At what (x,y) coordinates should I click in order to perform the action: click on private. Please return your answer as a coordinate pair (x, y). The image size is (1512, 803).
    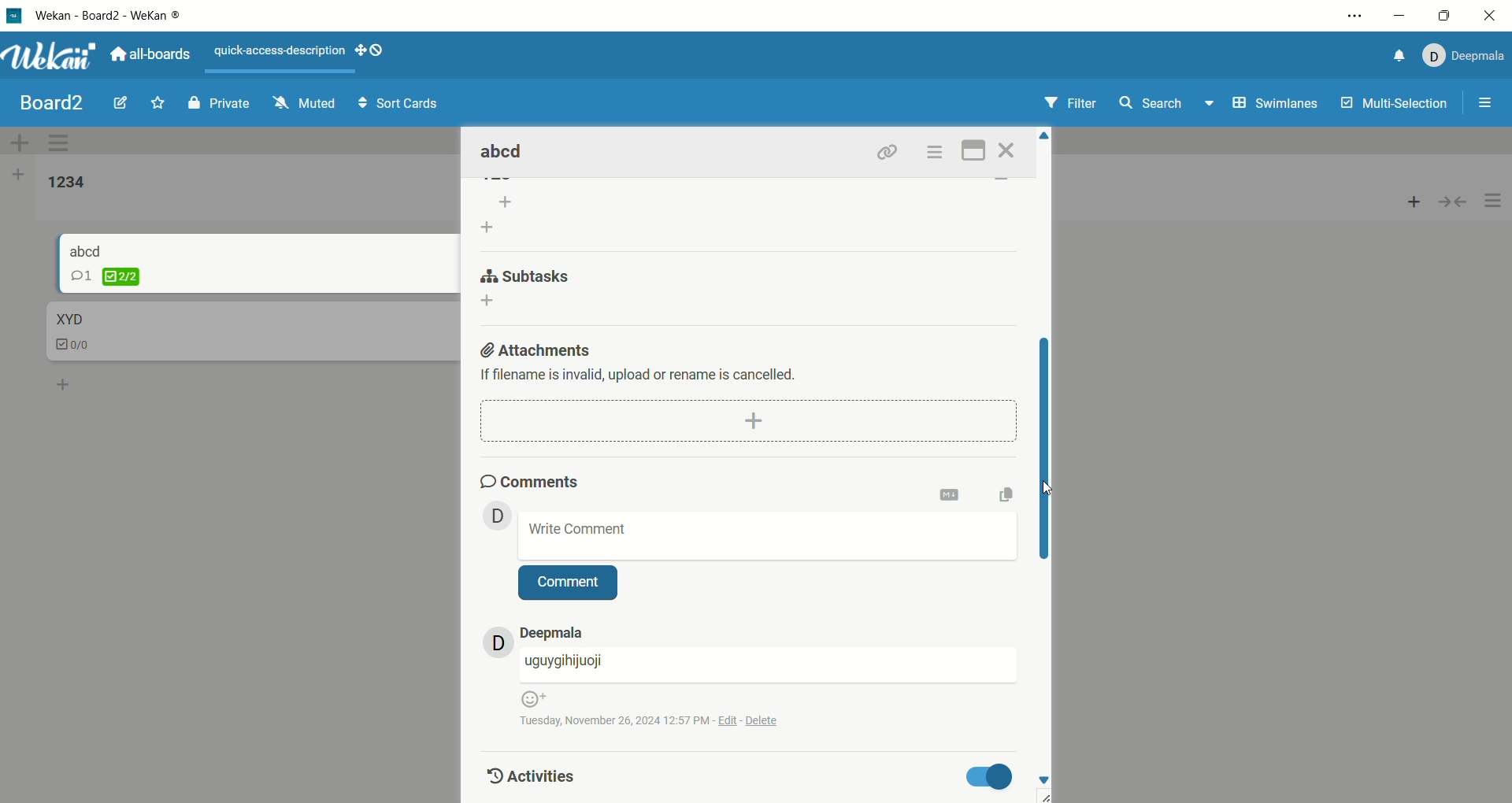
    Looking at the image, I should click on (221, 102).